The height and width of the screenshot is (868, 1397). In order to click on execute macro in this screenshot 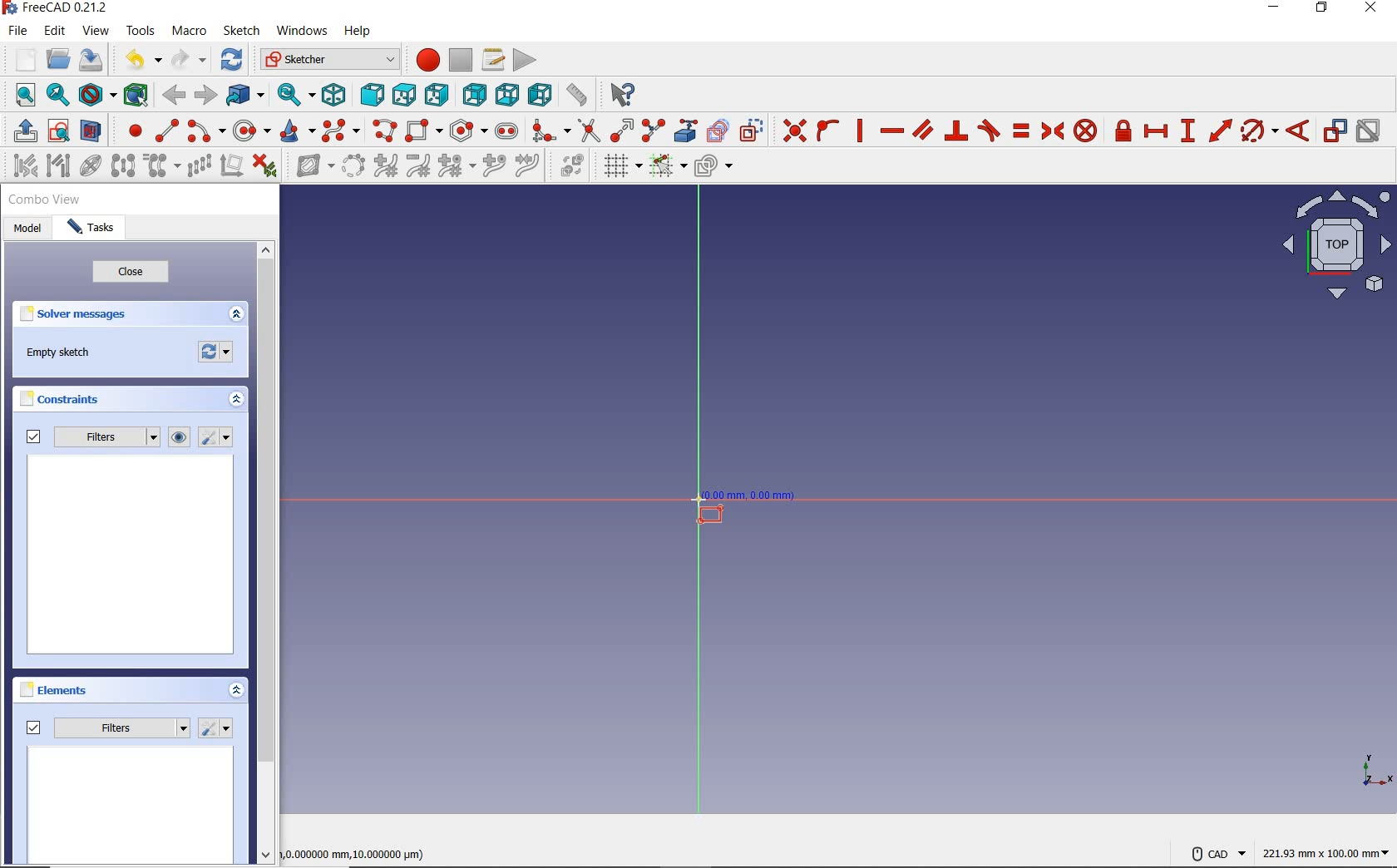, I will do `click(525, 60)`.